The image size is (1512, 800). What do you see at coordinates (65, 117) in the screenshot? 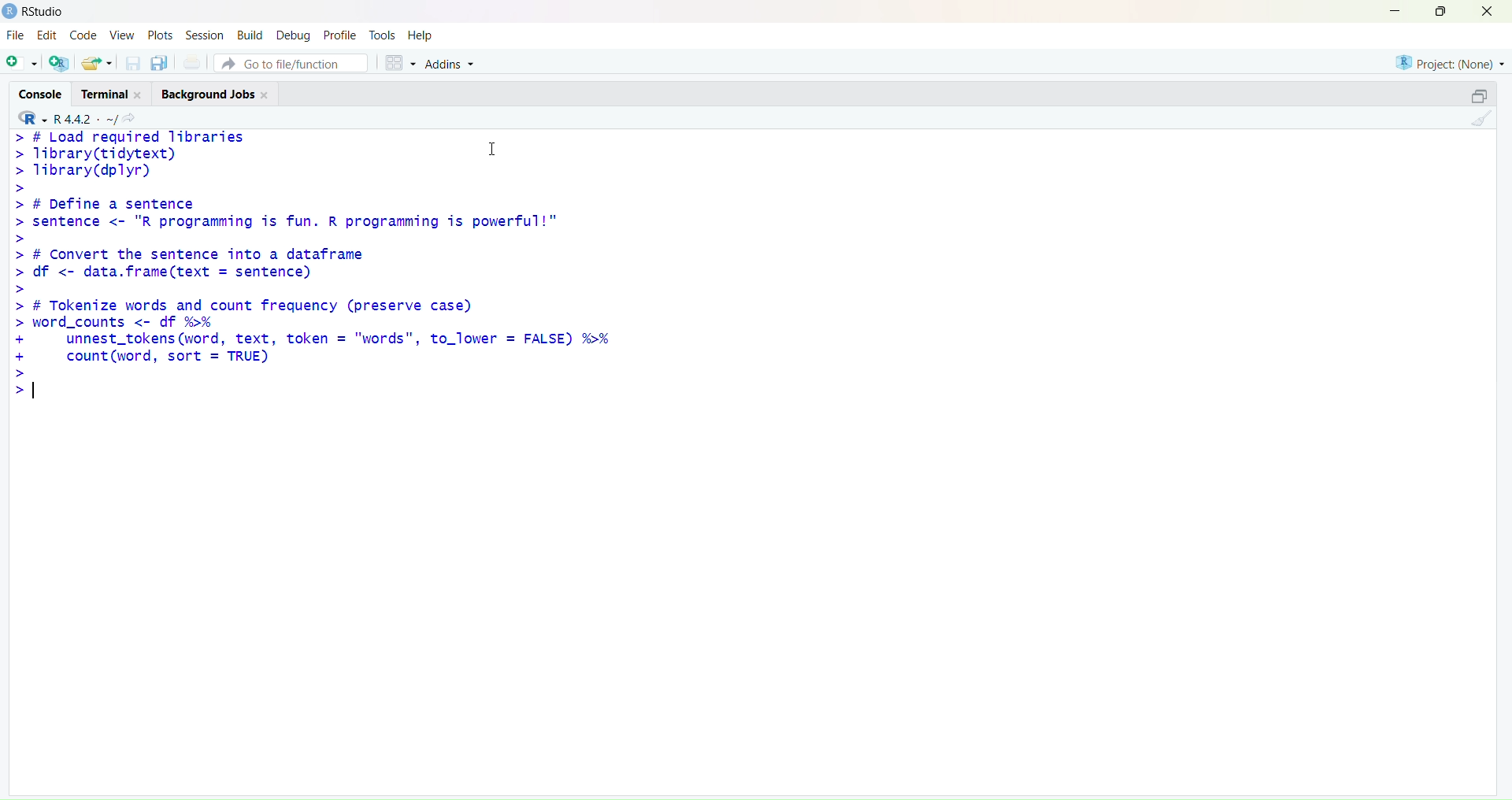
I see `R 4.4.2` at bounding box center [65, 117].